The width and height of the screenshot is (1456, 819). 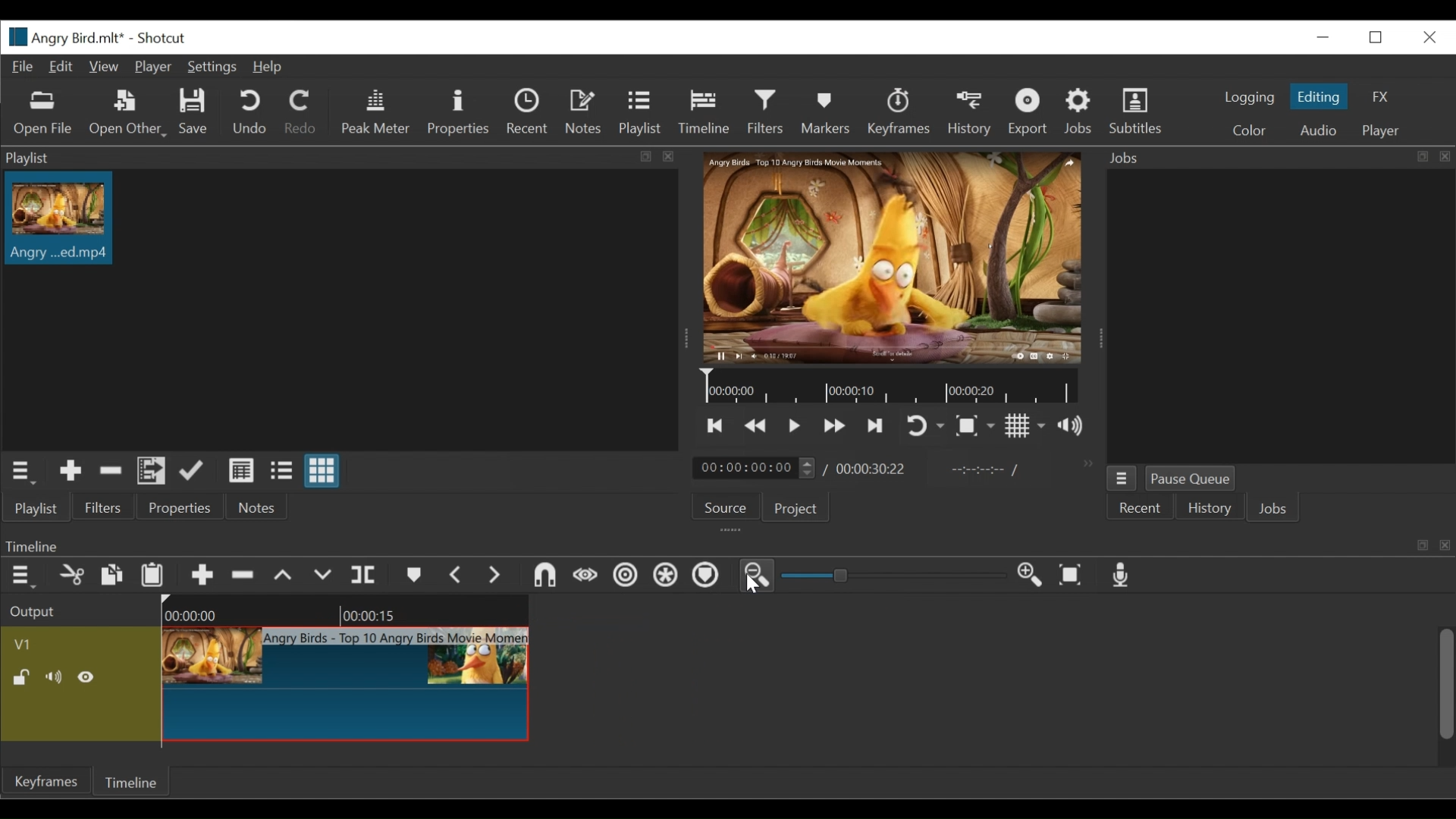 What do you see at coordinates (543, 575) in the screenshot?
I see `Snap` at bounding box center [543, 575].